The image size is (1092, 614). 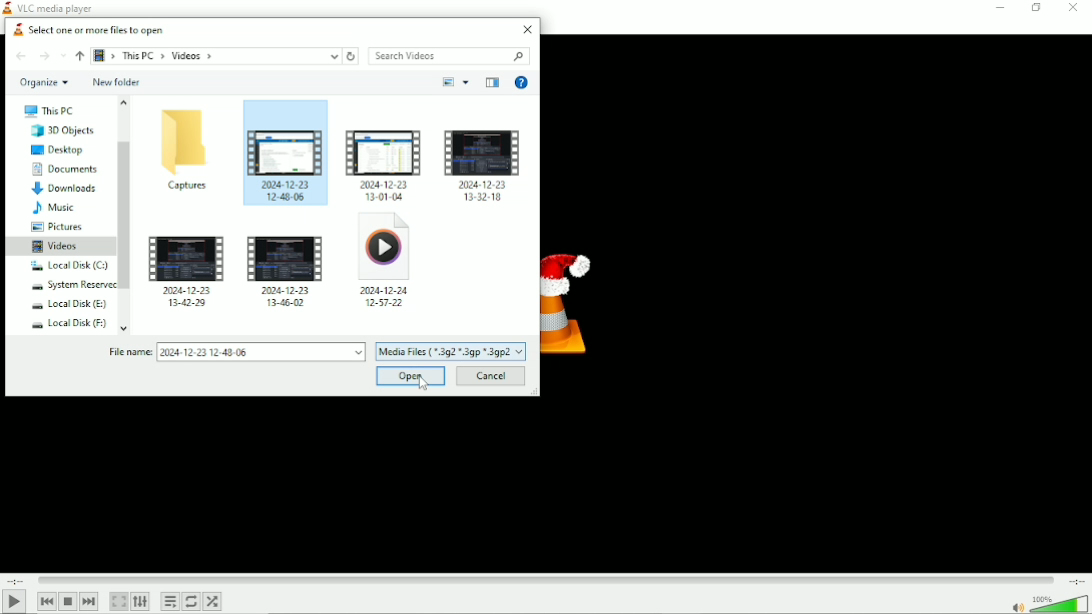 I want to click on Logo, so click(x=574, y=297).